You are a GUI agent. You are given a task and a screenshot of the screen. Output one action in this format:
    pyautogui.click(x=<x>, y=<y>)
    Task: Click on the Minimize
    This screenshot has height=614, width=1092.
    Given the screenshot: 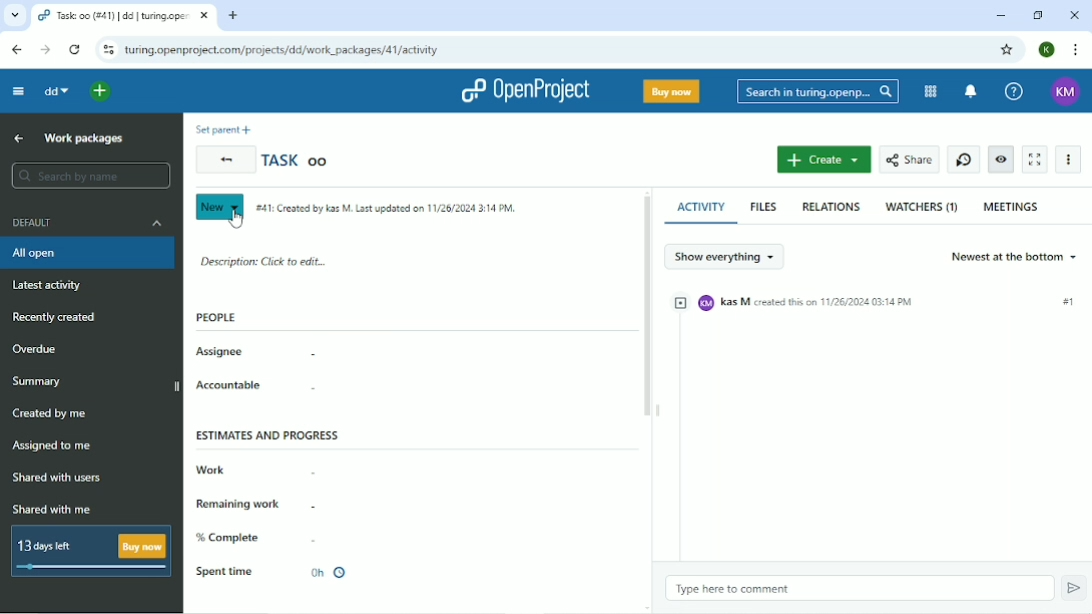 What is the action you would take?
    pyautogui.click(x=999, y=15)
    